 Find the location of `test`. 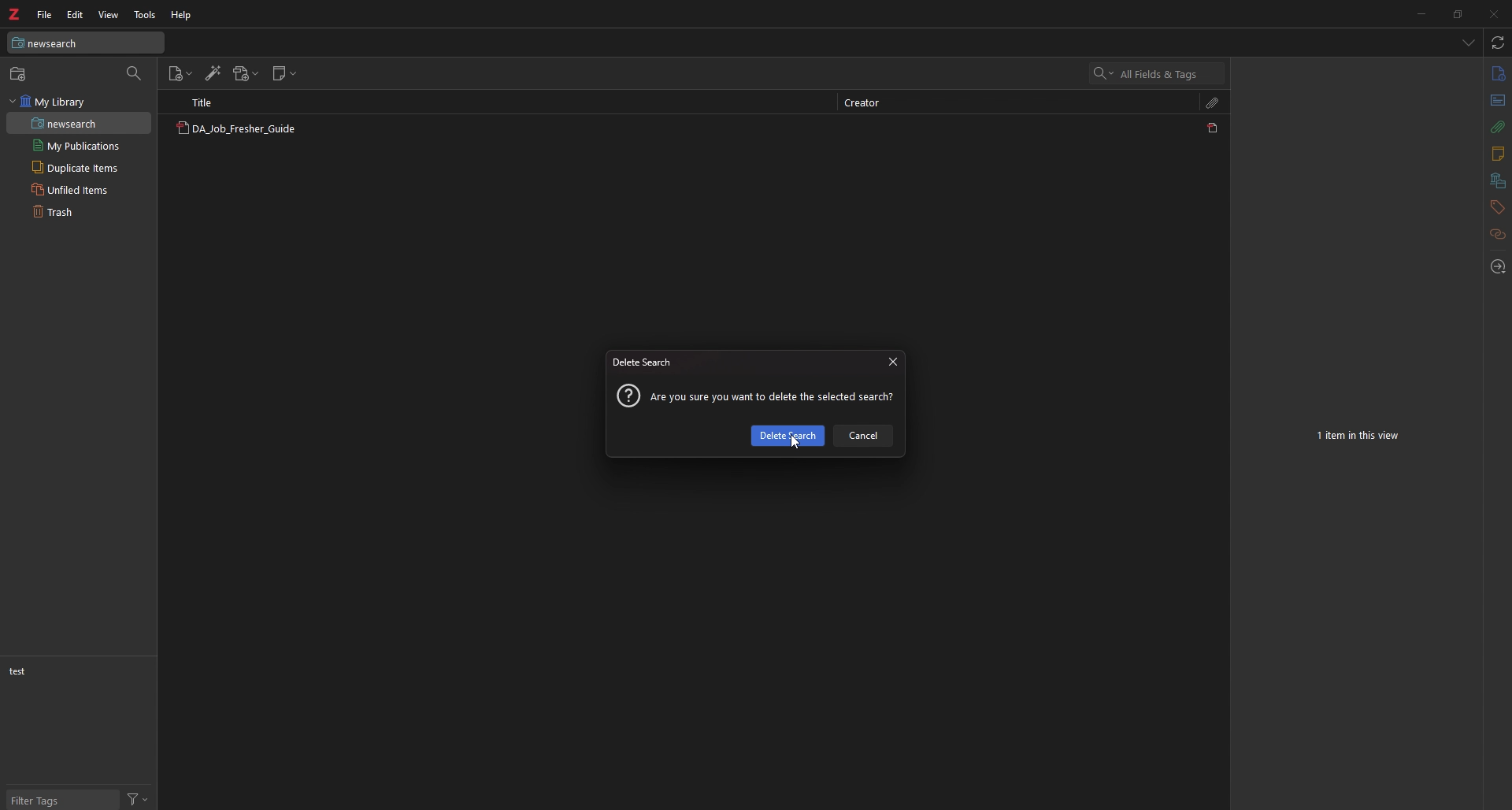

test is located at coordinates (59, 673).